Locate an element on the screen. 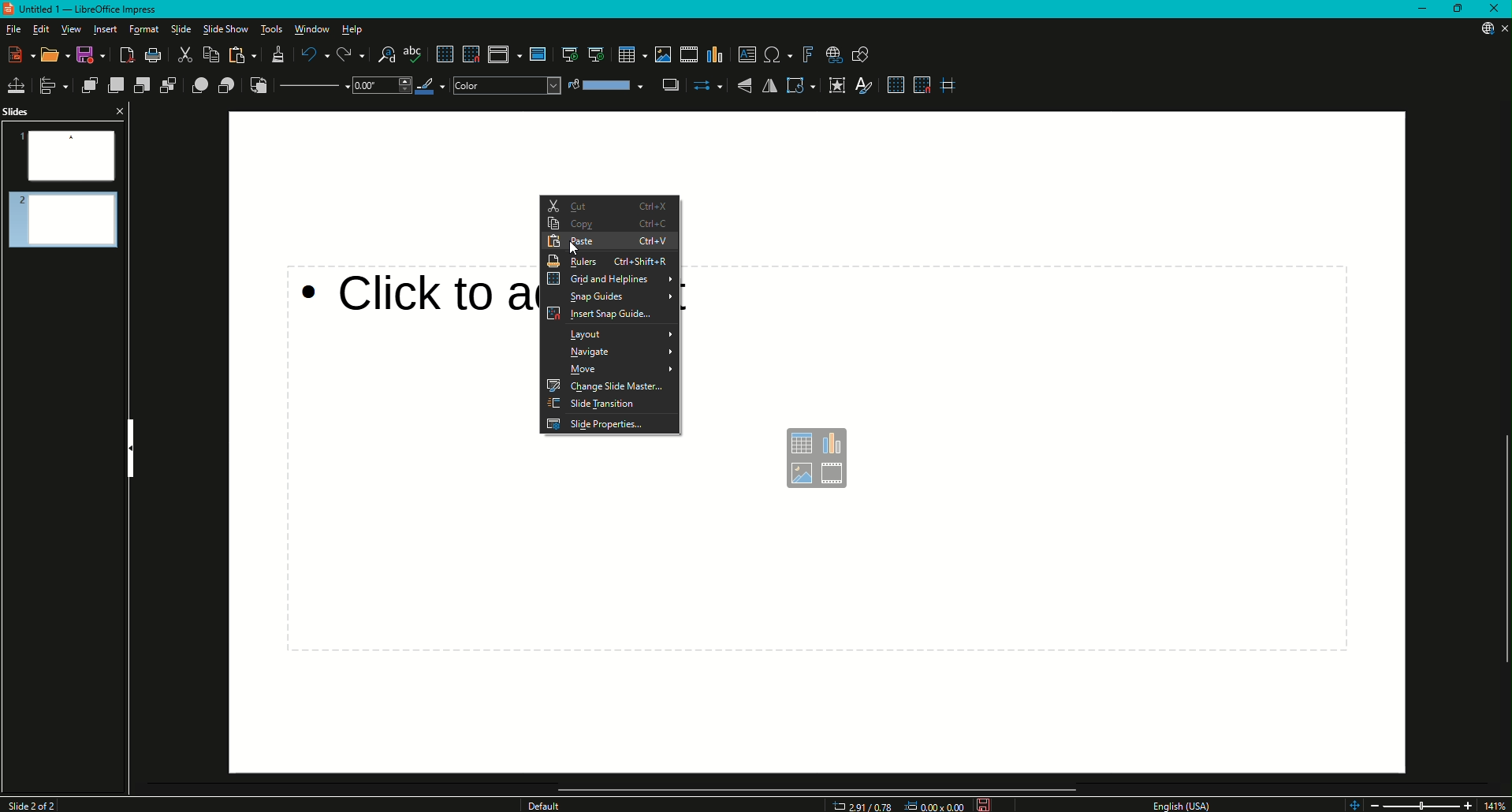 Image resolution: width=1512 pixels, height=812 pixels. Bring Forward is located at coordinates (114, 85).